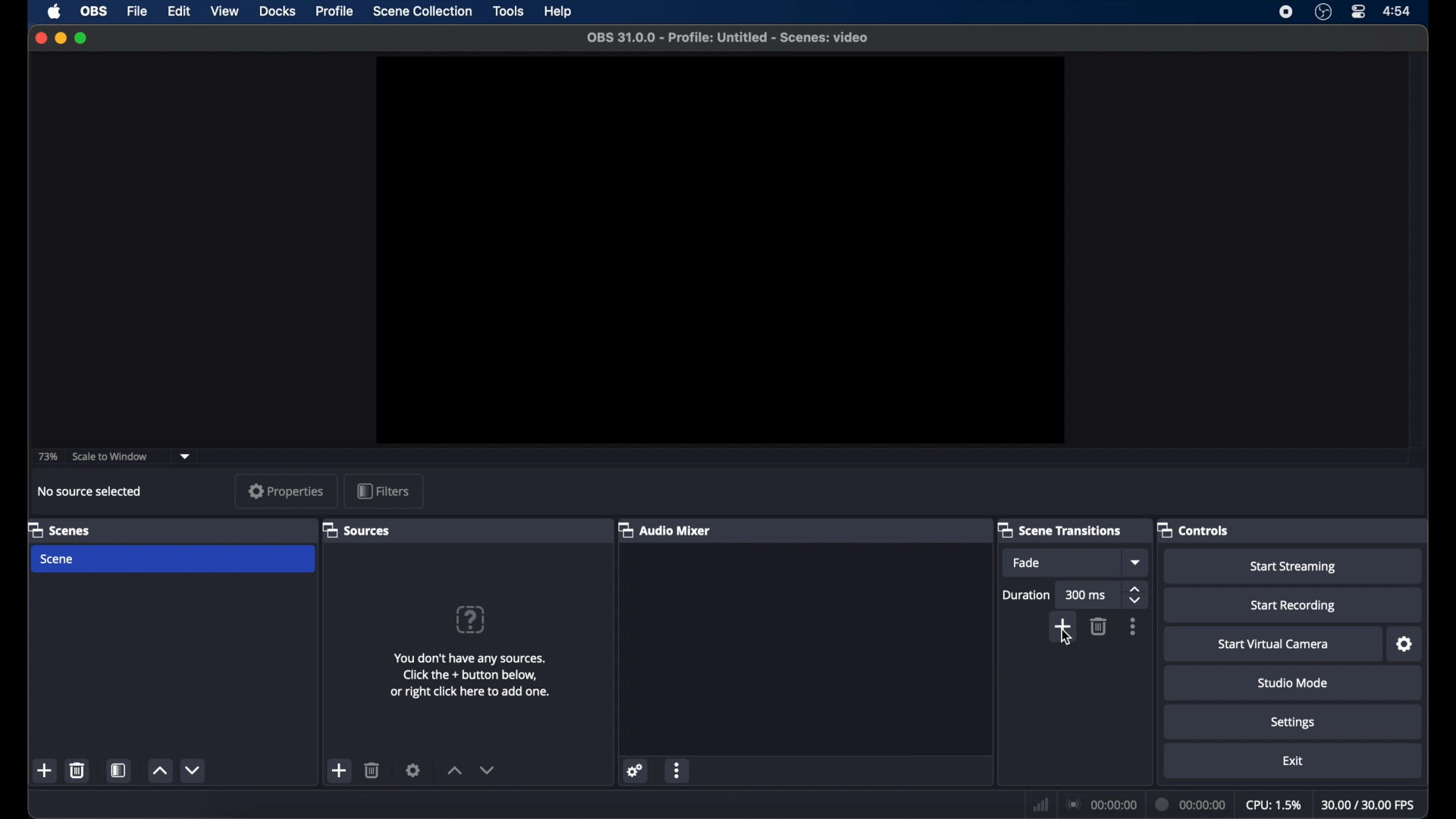  I want to click on edit, so click(180, 11).